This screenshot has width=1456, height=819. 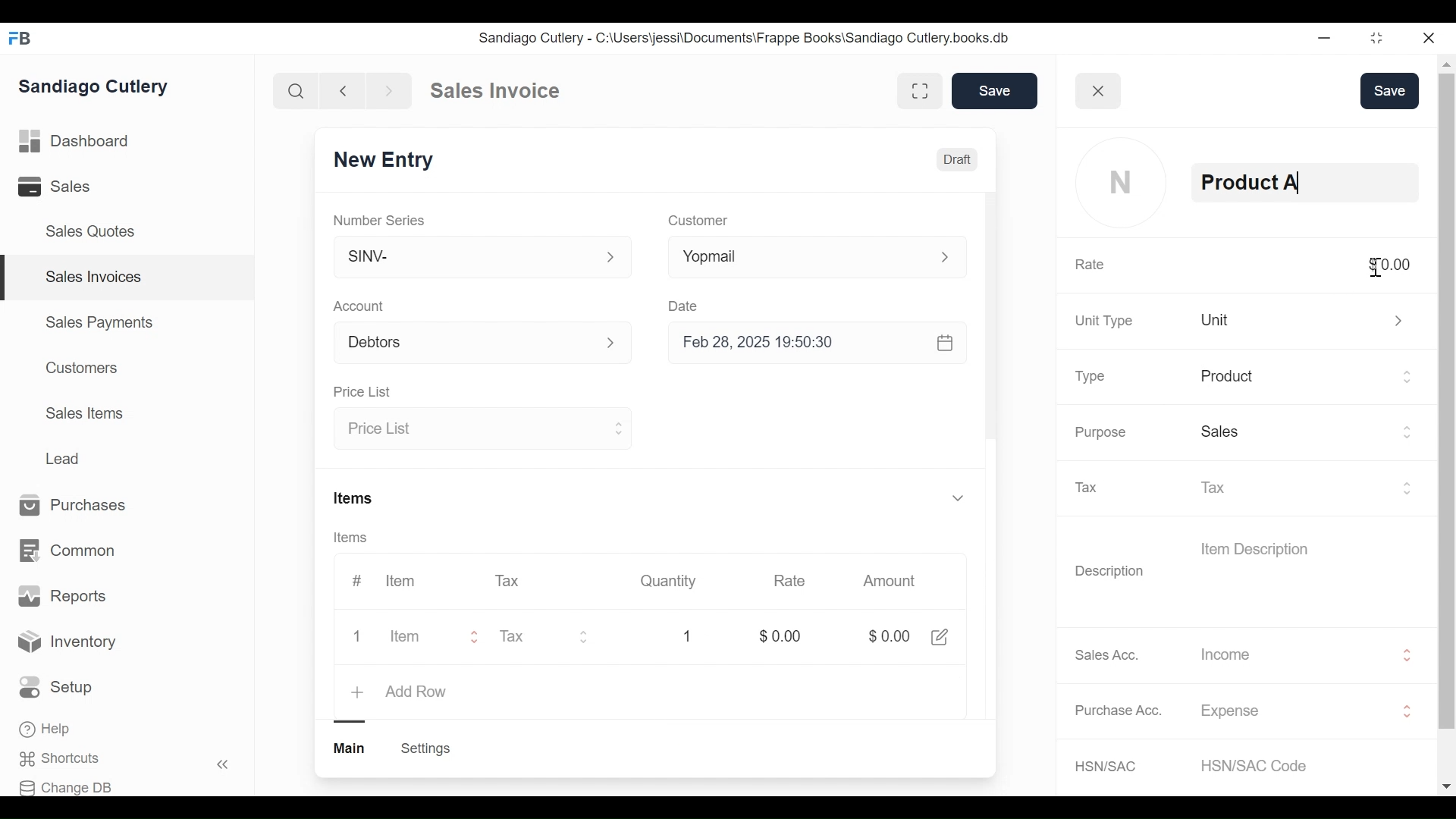 What do you see at coordinates (70, 551) in the screenshot?
I see `Common` at bounding box center [70, 551].